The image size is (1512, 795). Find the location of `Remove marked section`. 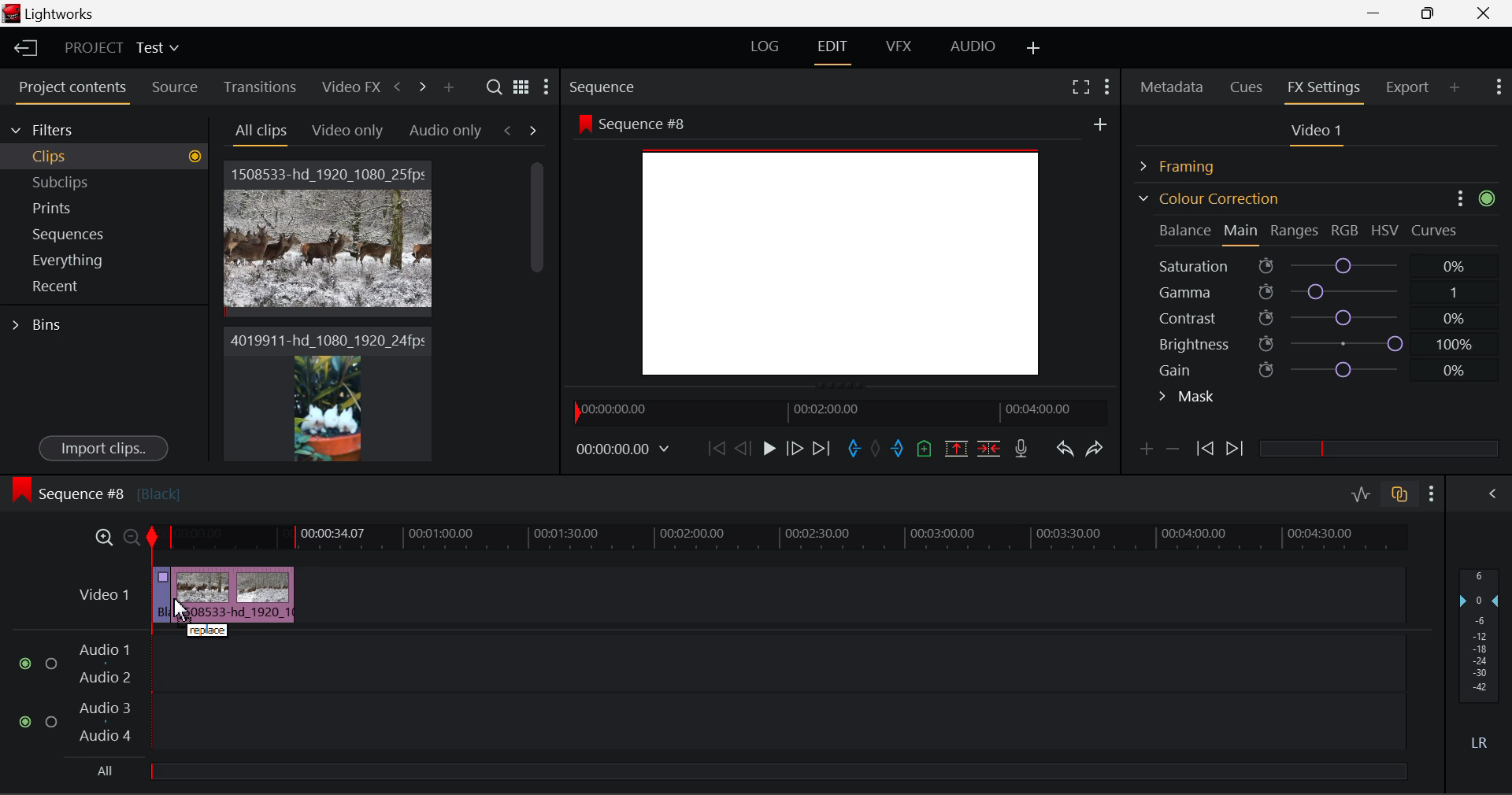

Remove marked section is located at coordinates (955, 447).